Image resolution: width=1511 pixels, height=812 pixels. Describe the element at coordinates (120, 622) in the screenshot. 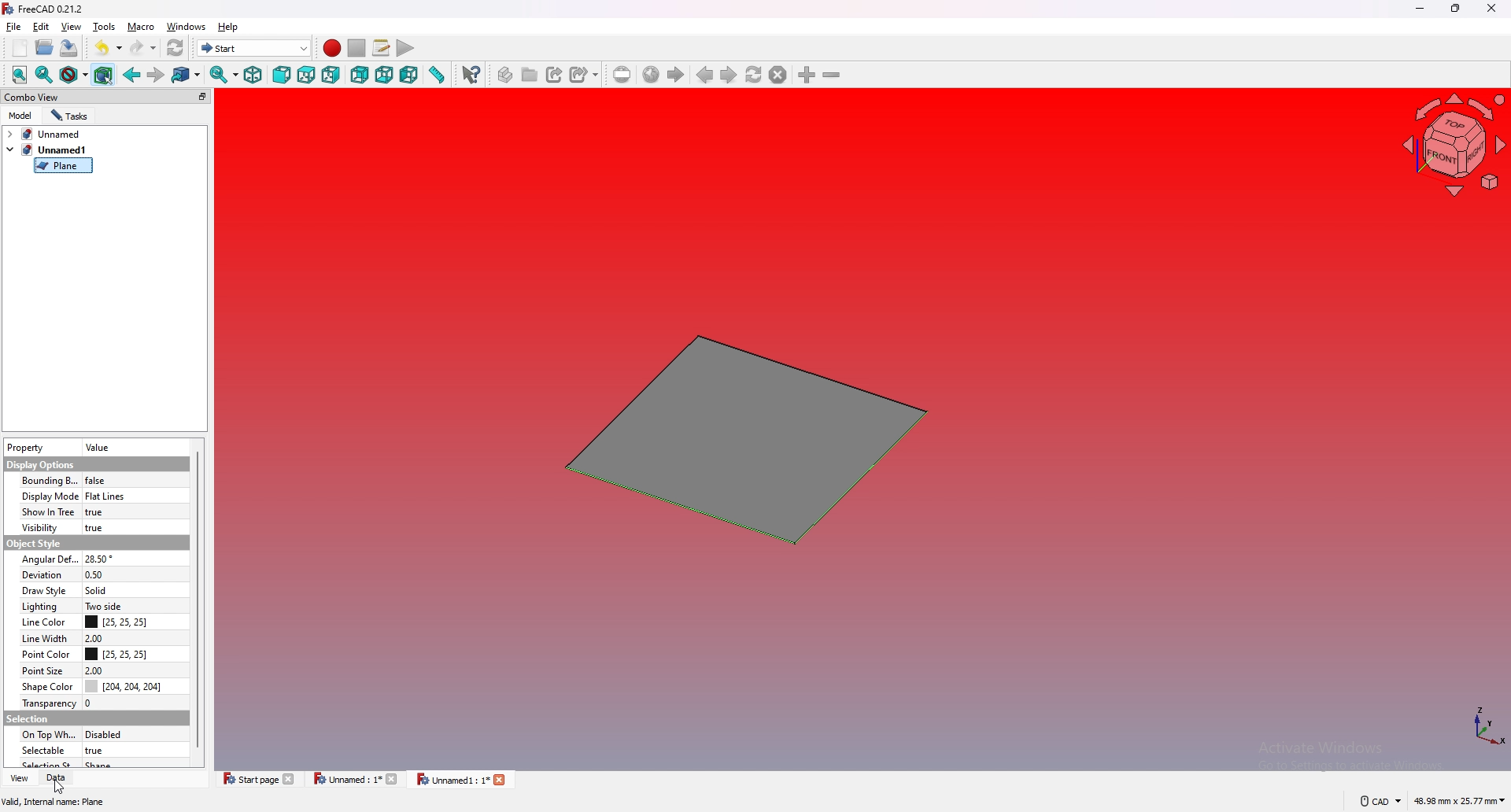

I see `[25, 25, 25]` at that location.